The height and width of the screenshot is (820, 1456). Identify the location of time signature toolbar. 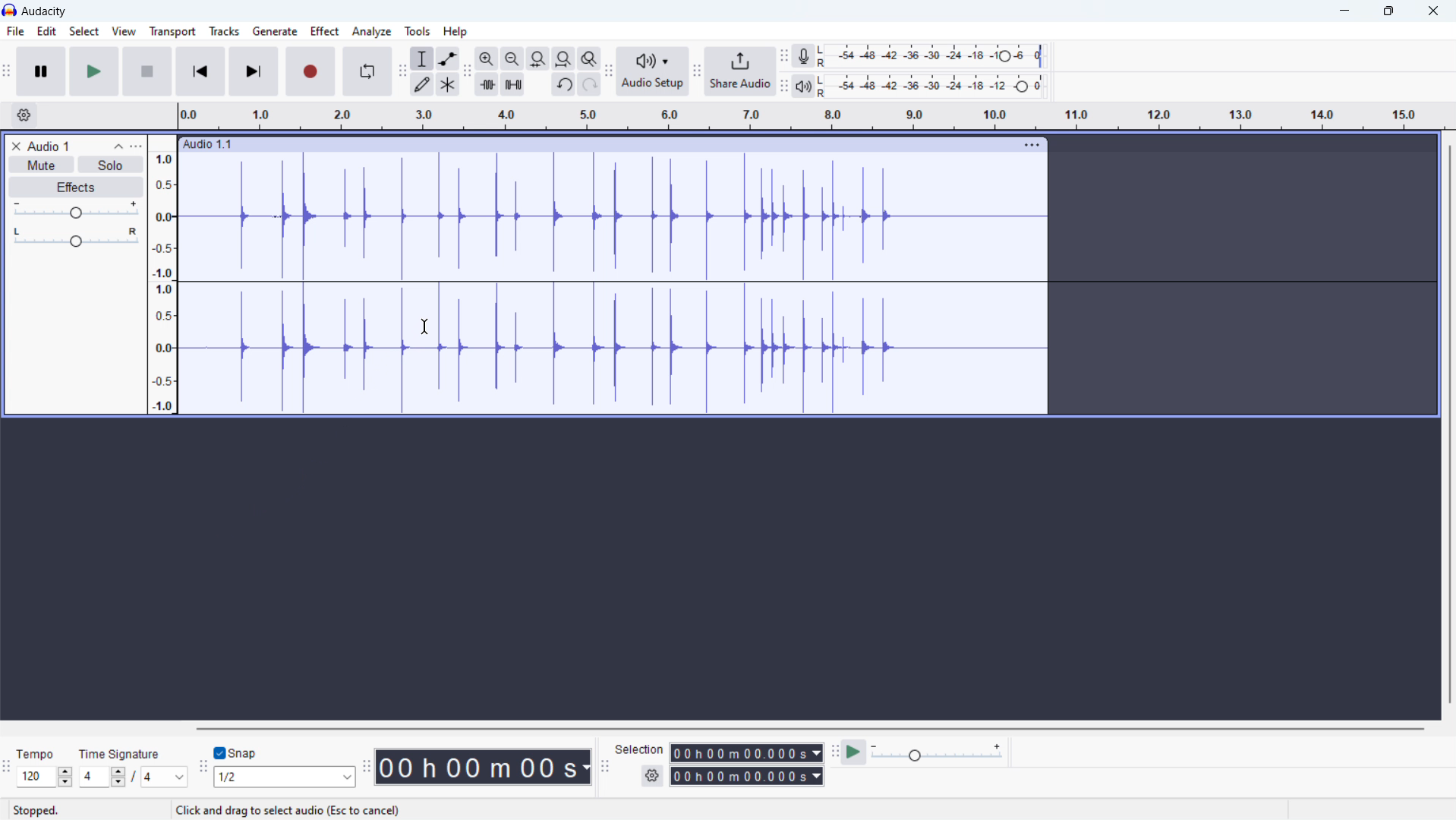
(7, 769).